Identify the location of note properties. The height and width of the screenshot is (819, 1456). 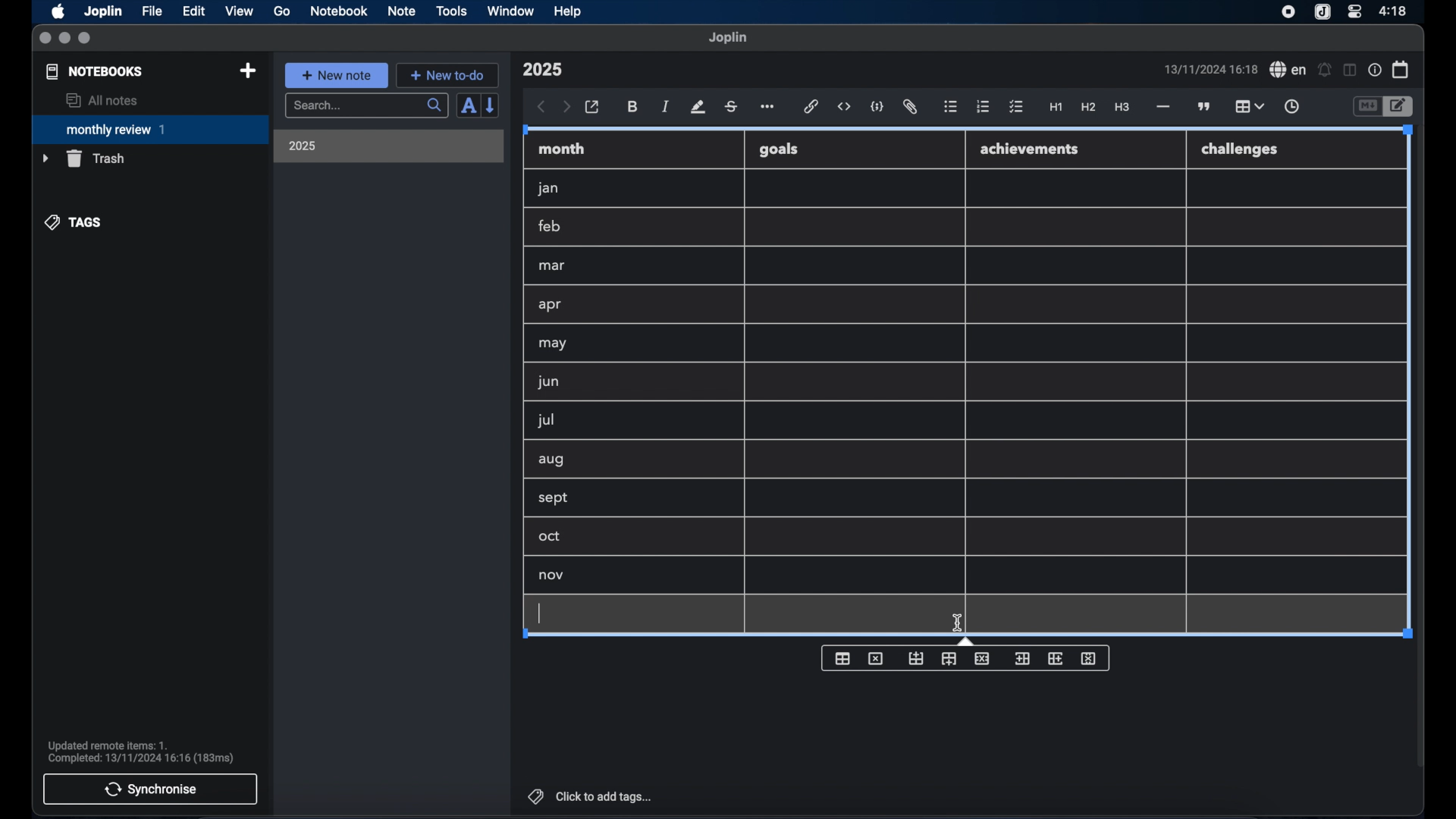
(1375, 71).